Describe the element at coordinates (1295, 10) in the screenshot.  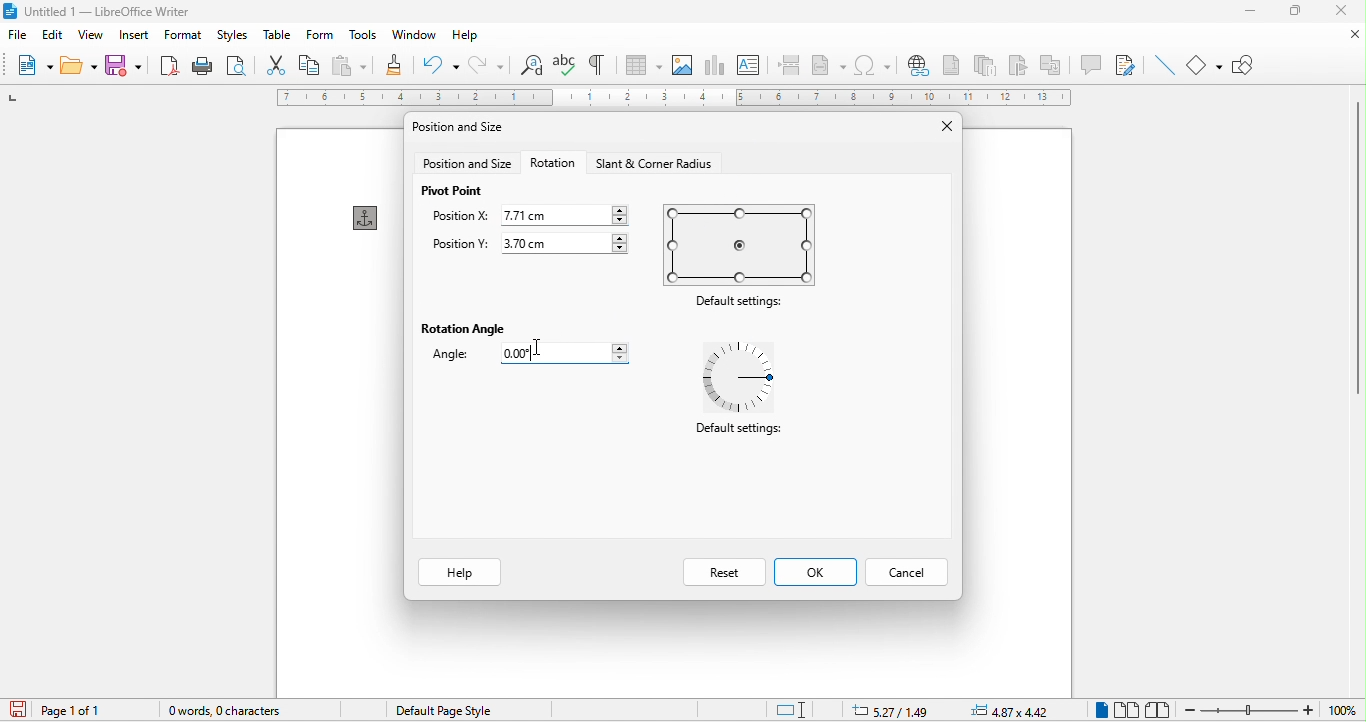
I see `maximize` at that location.